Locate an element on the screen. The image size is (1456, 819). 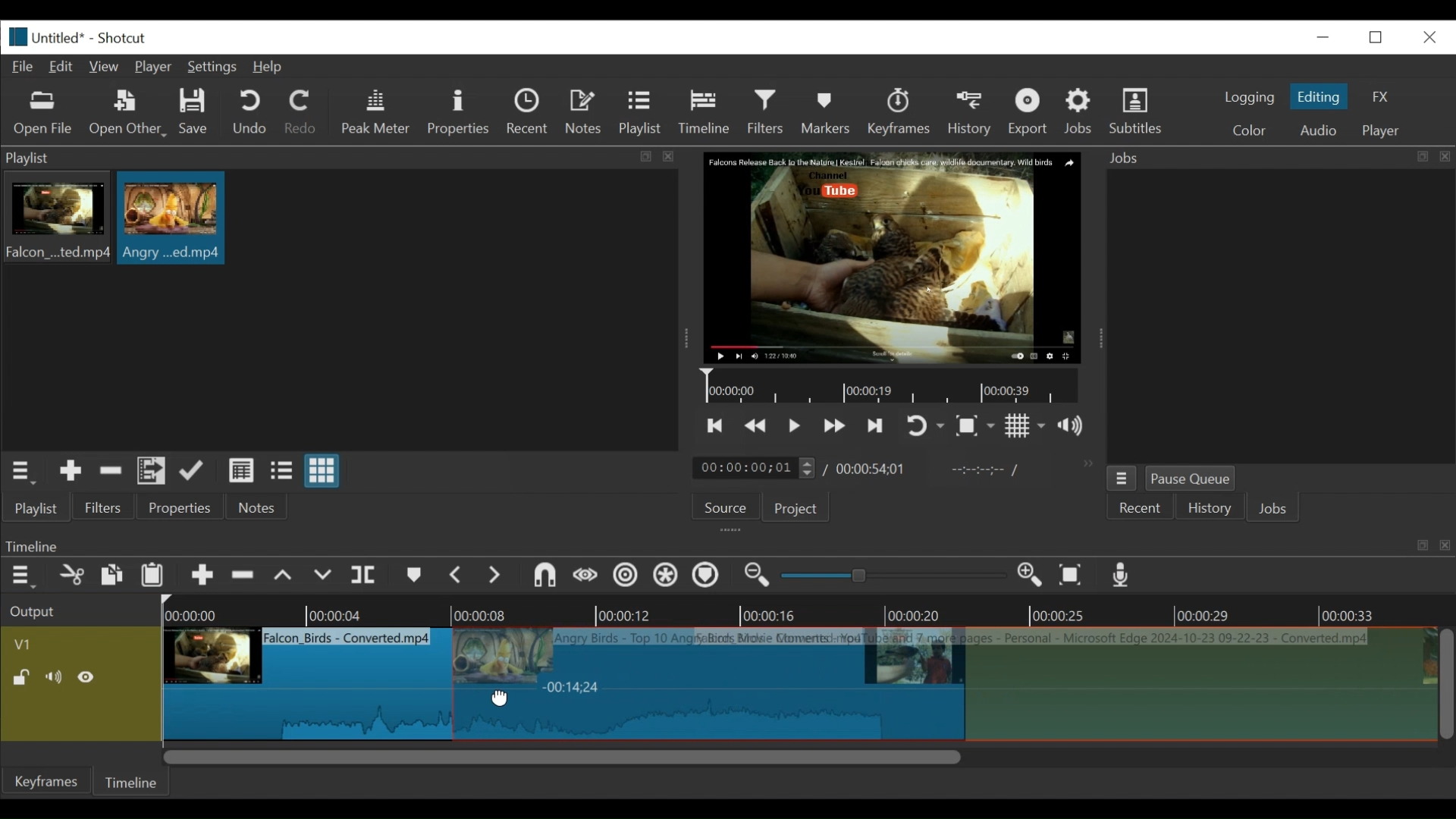
copy is located at coordinates (113, 577).